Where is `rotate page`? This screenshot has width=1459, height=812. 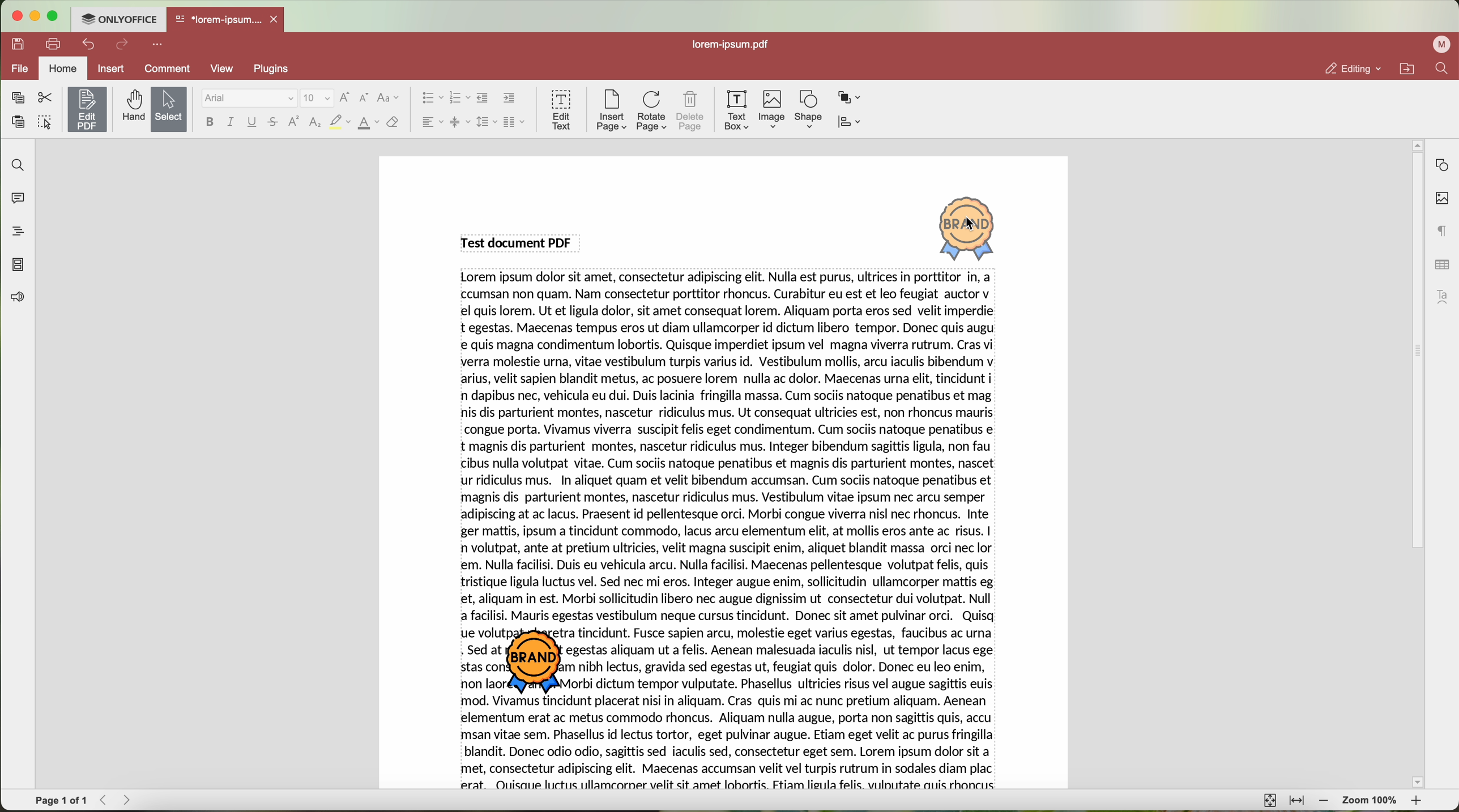
rotate page is located at coordinates (652, 112).